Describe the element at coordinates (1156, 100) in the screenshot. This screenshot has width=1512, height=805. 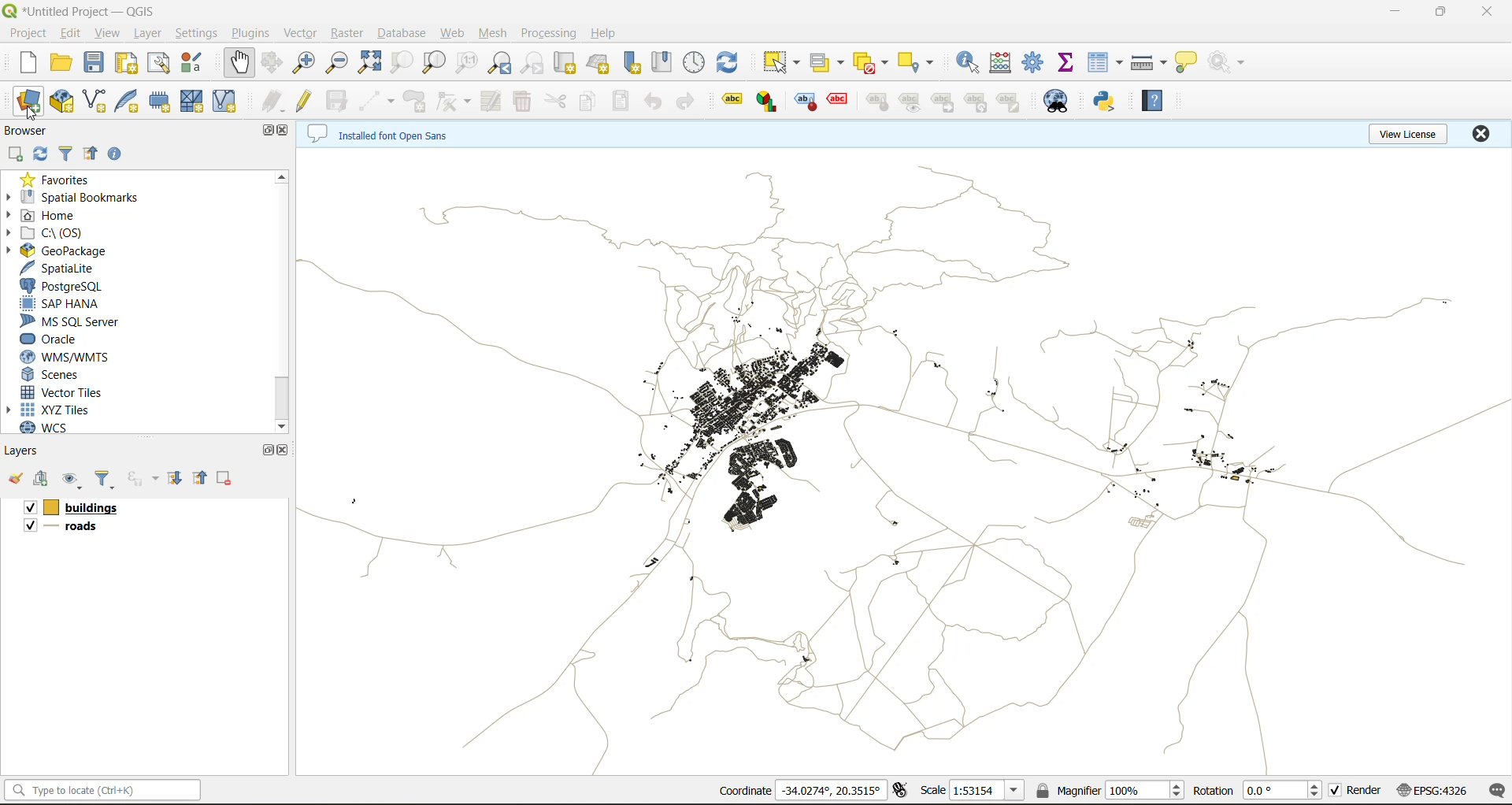
I see `help` at that location.